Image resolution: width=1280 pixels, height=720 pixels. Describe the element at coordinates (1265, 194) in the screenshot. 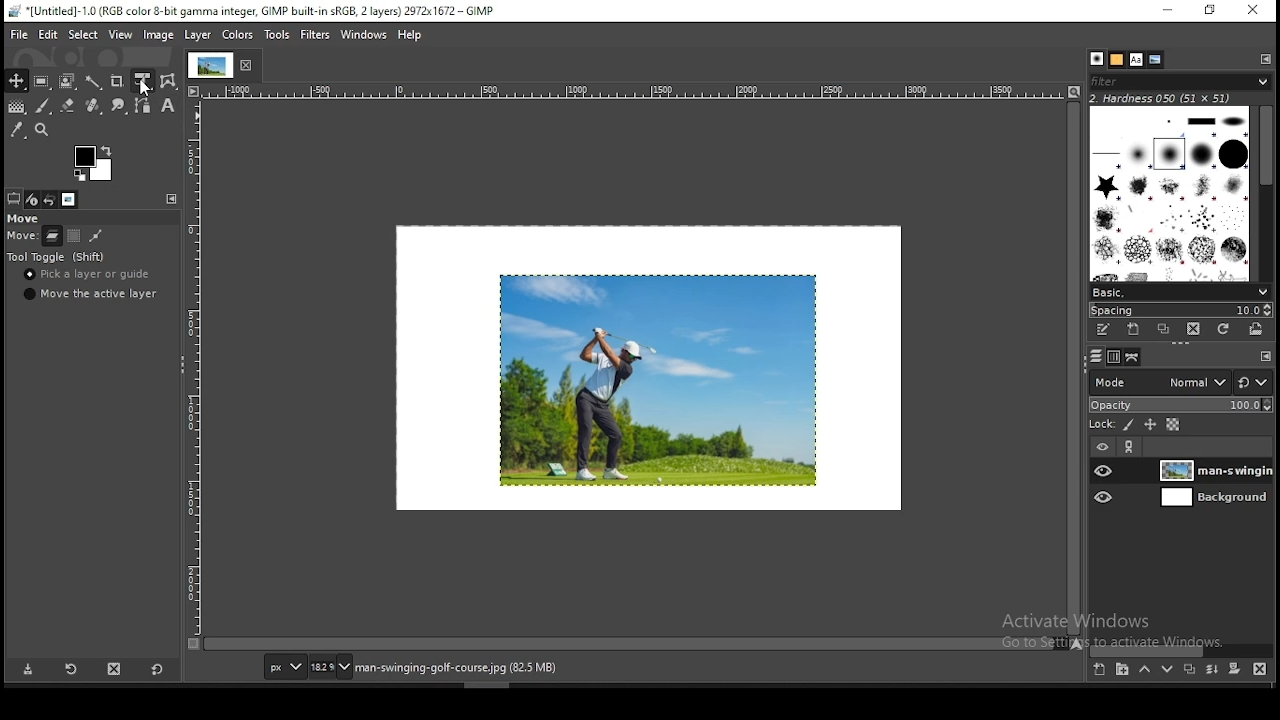

I see `scroll bar` at that location.